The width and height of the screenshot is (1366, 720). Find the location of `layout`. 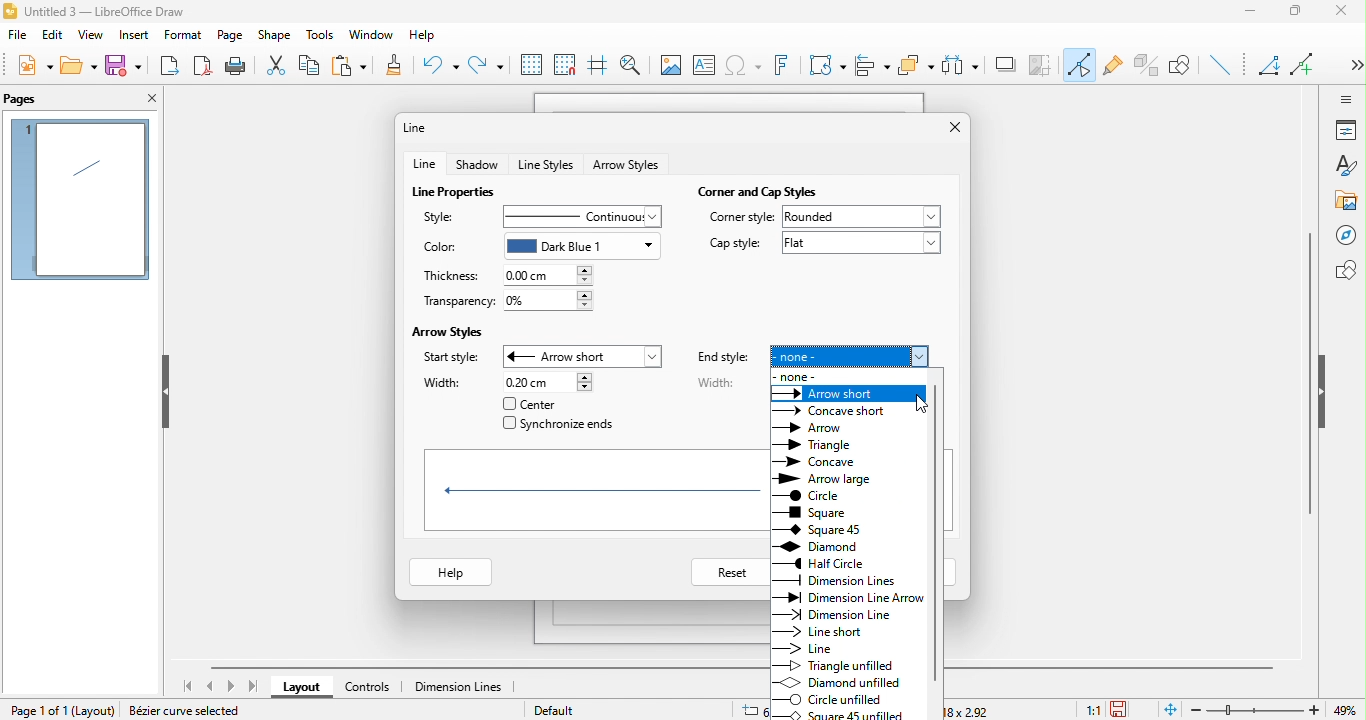

layout is located at coordinates (301, 689).